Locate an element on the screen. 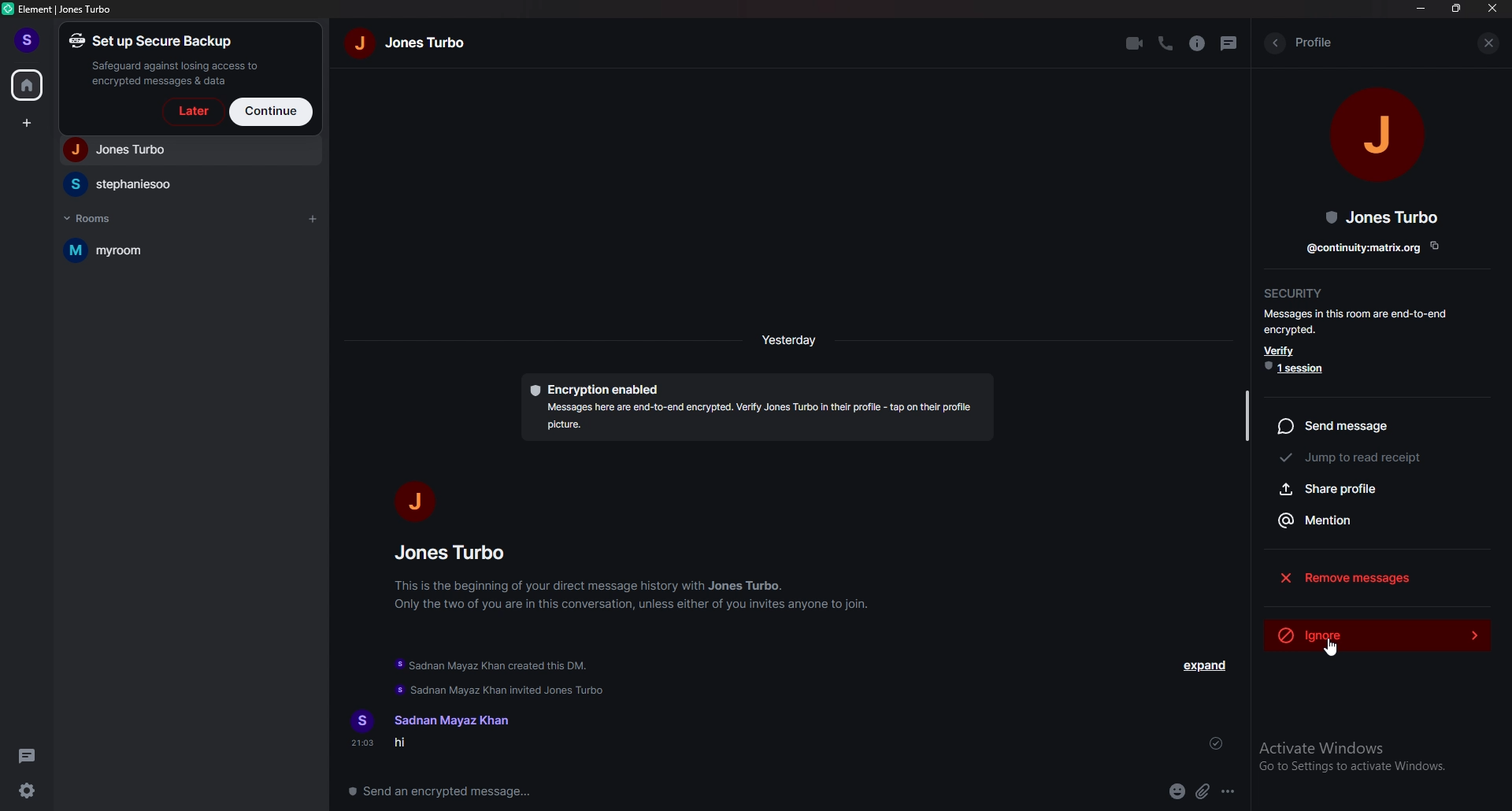 The width and height of the screenshot is (1512, 811). security is located at coordinates (1295, 291).